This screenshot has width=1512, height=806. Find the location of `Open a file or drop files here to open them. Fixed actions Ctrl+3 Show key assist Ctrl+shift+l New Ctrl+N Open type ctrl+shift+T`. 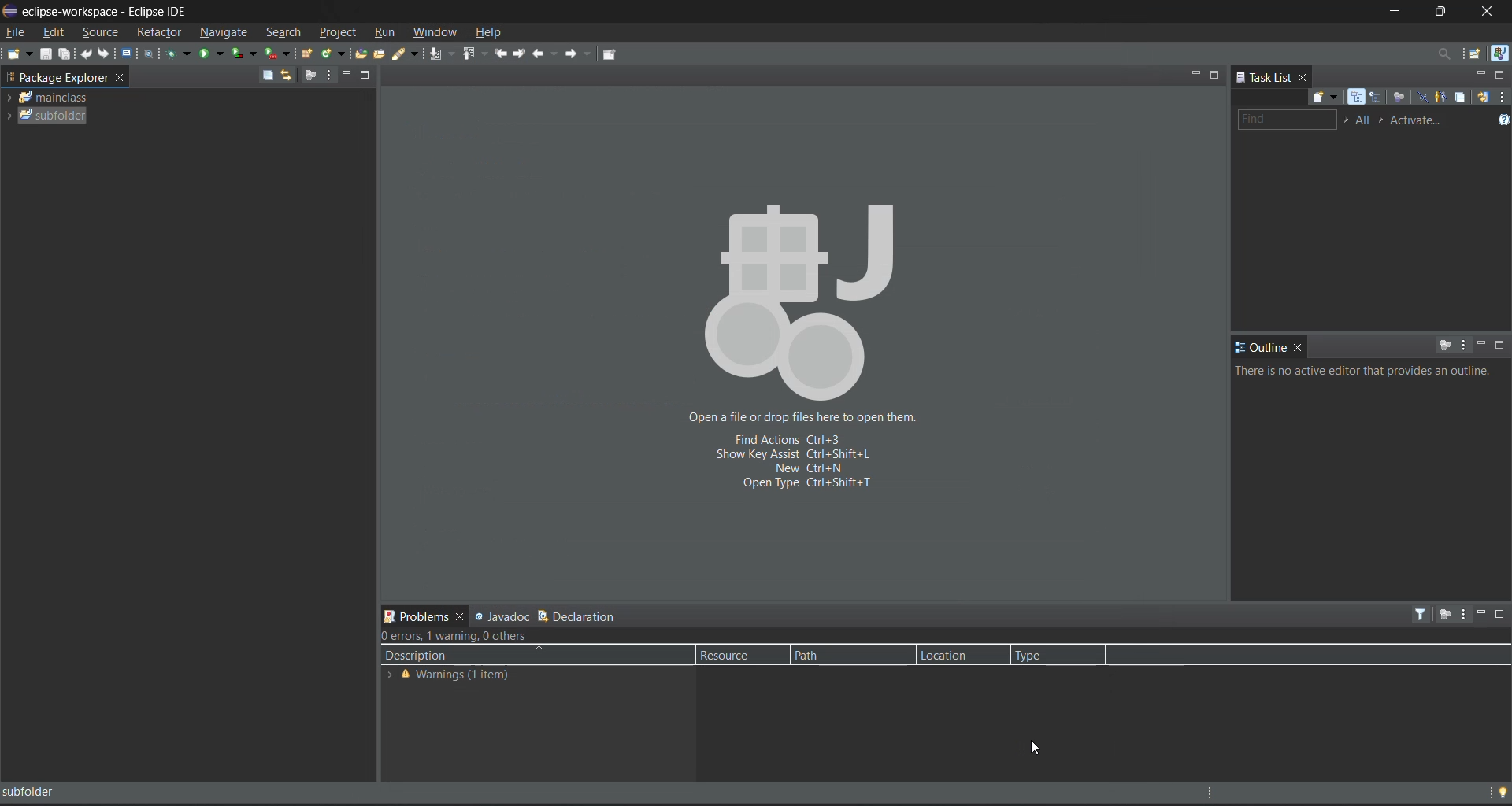

Open a file or drop files here to open them. Fixed actions Ctrl+3 Show key assist Ctrl+shift+l New Ctrl+N Open type ctrl+shift+T is located at coordinates (803, 346).